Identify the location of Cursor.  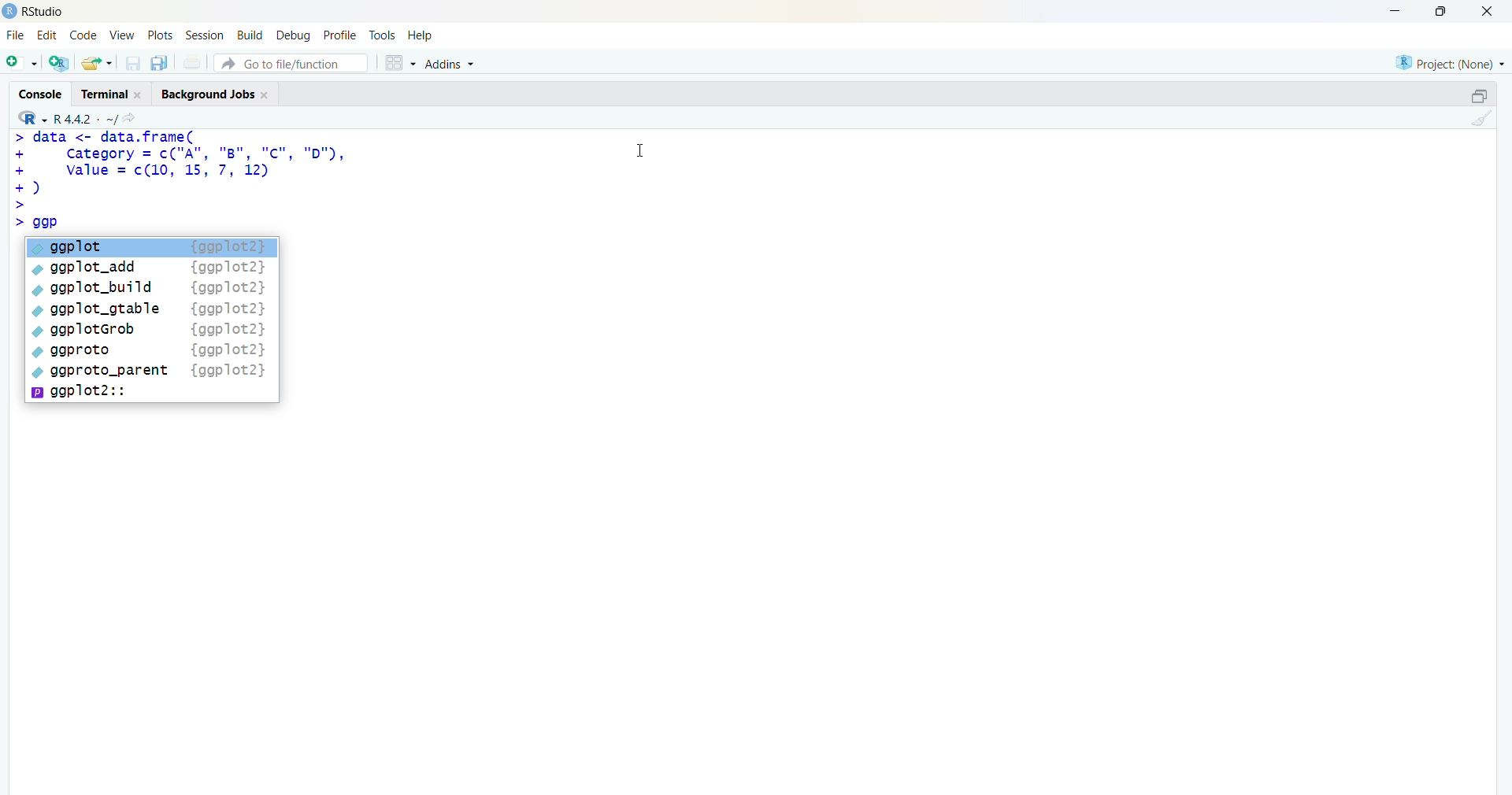
(641, 148).